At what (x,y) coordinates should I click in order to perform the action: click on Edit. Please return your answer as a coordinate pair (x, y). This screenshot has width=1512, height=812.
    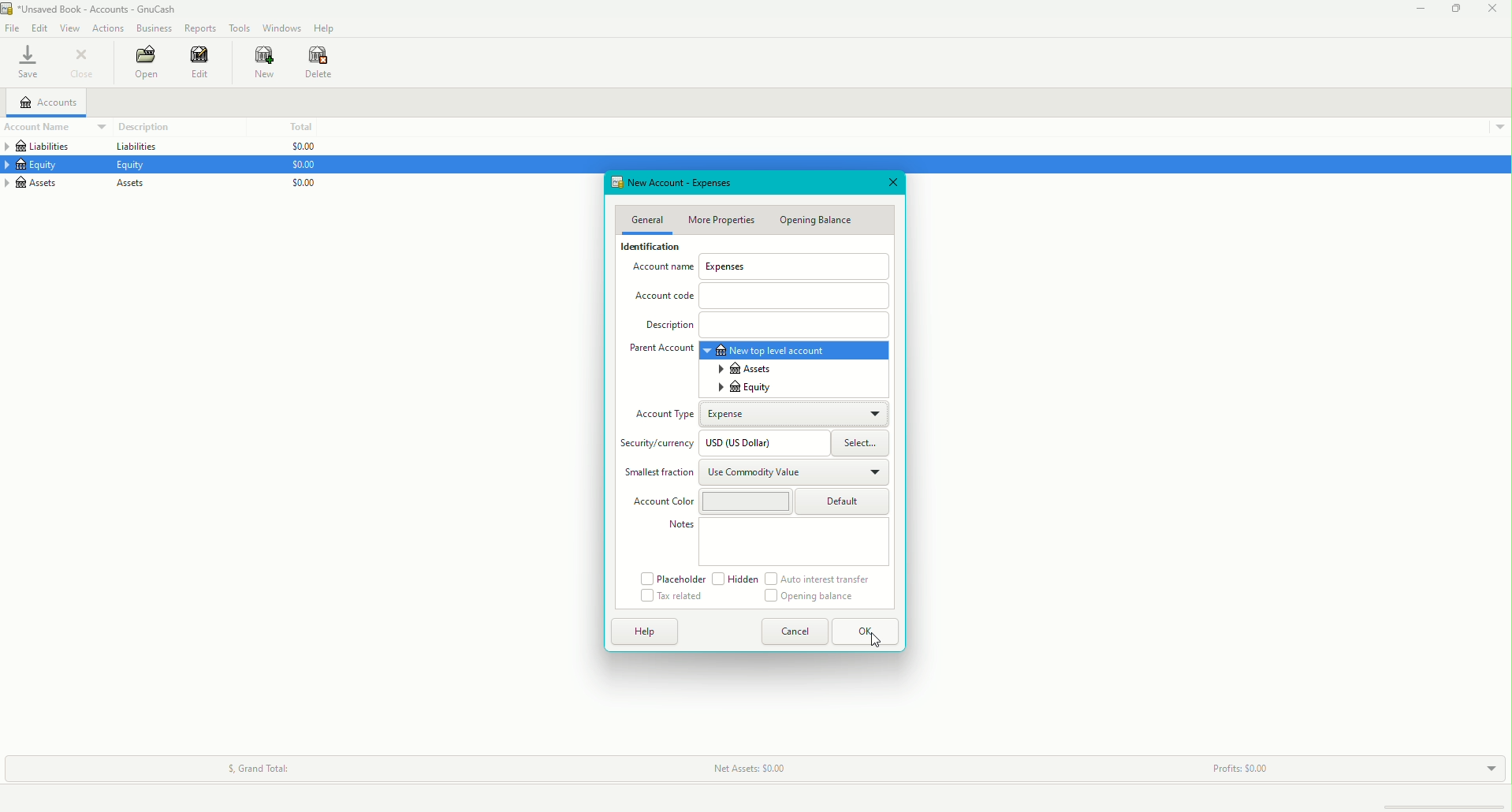
    Looking at the image, I should click on (37, 26).